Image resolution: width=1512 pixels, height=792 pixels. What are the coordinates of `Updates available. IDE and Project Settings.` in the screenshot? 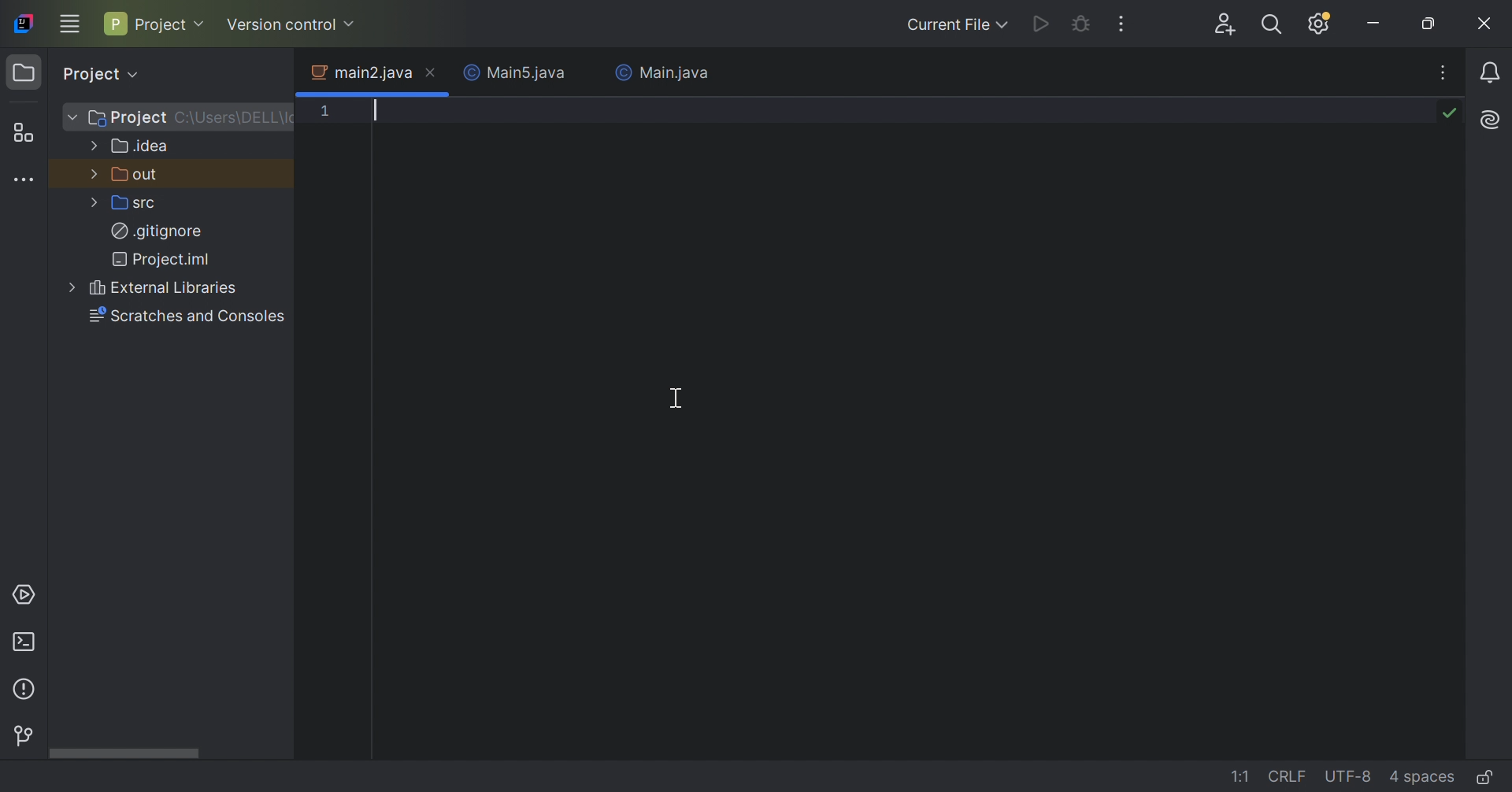 It's located at (1321, 24).